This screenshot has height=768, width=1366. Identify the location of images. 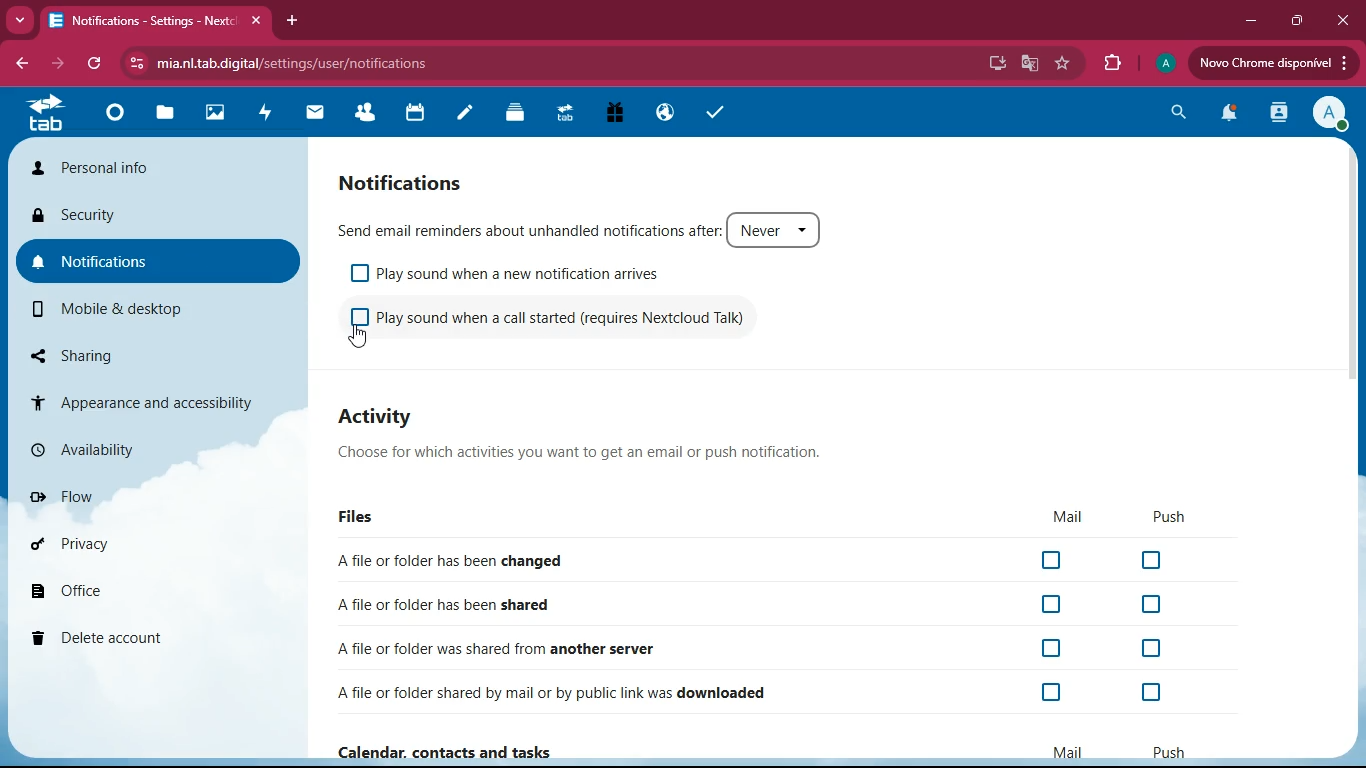
(215, 115).